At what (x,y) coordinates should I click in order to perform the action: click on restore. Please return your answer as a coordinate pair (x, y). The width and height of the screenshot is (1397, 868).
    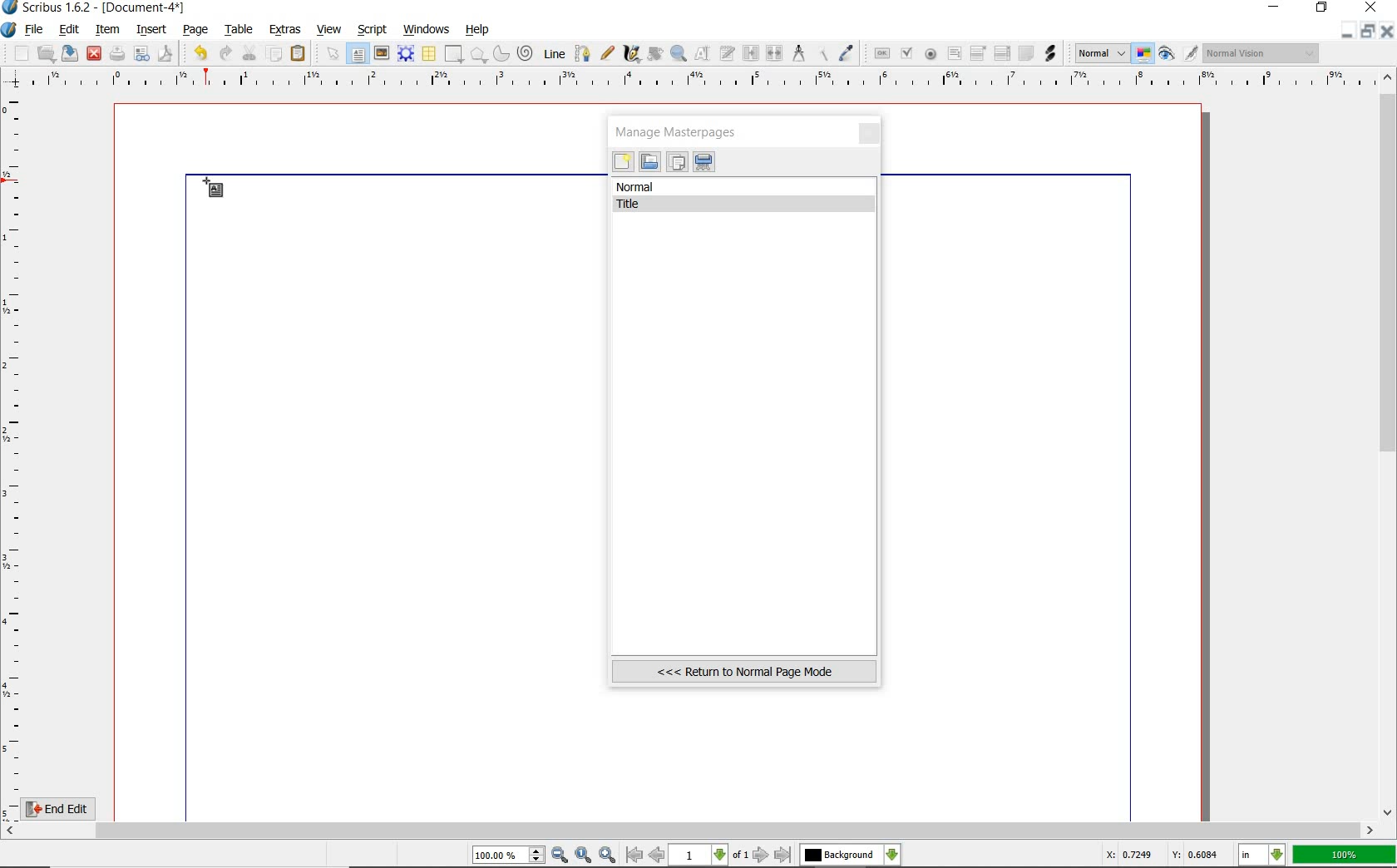
    Looking at the image, I should click on (1323, 9).